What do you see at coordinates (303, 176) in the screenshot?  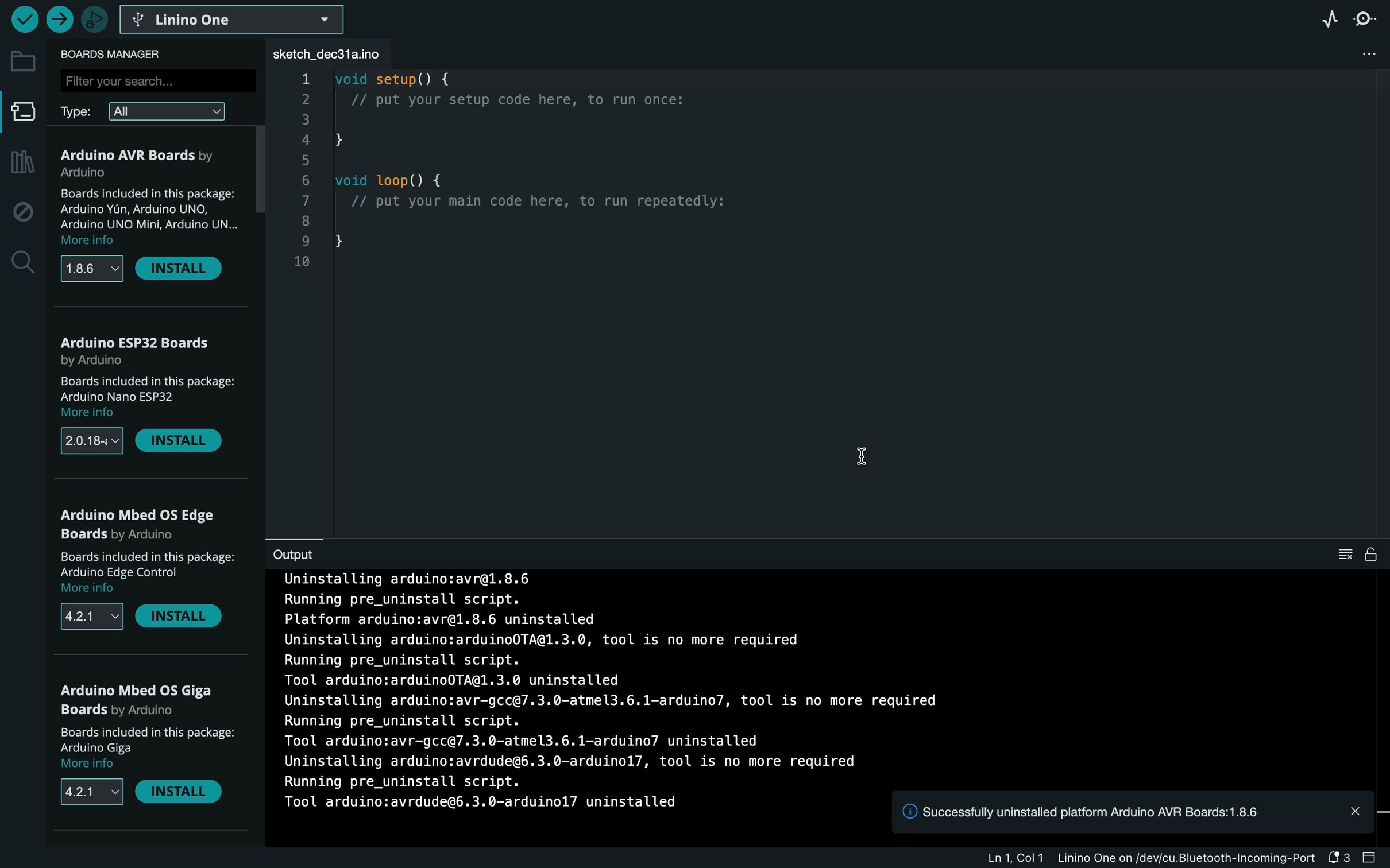 I see `line number` at bounding box center [303, 176].